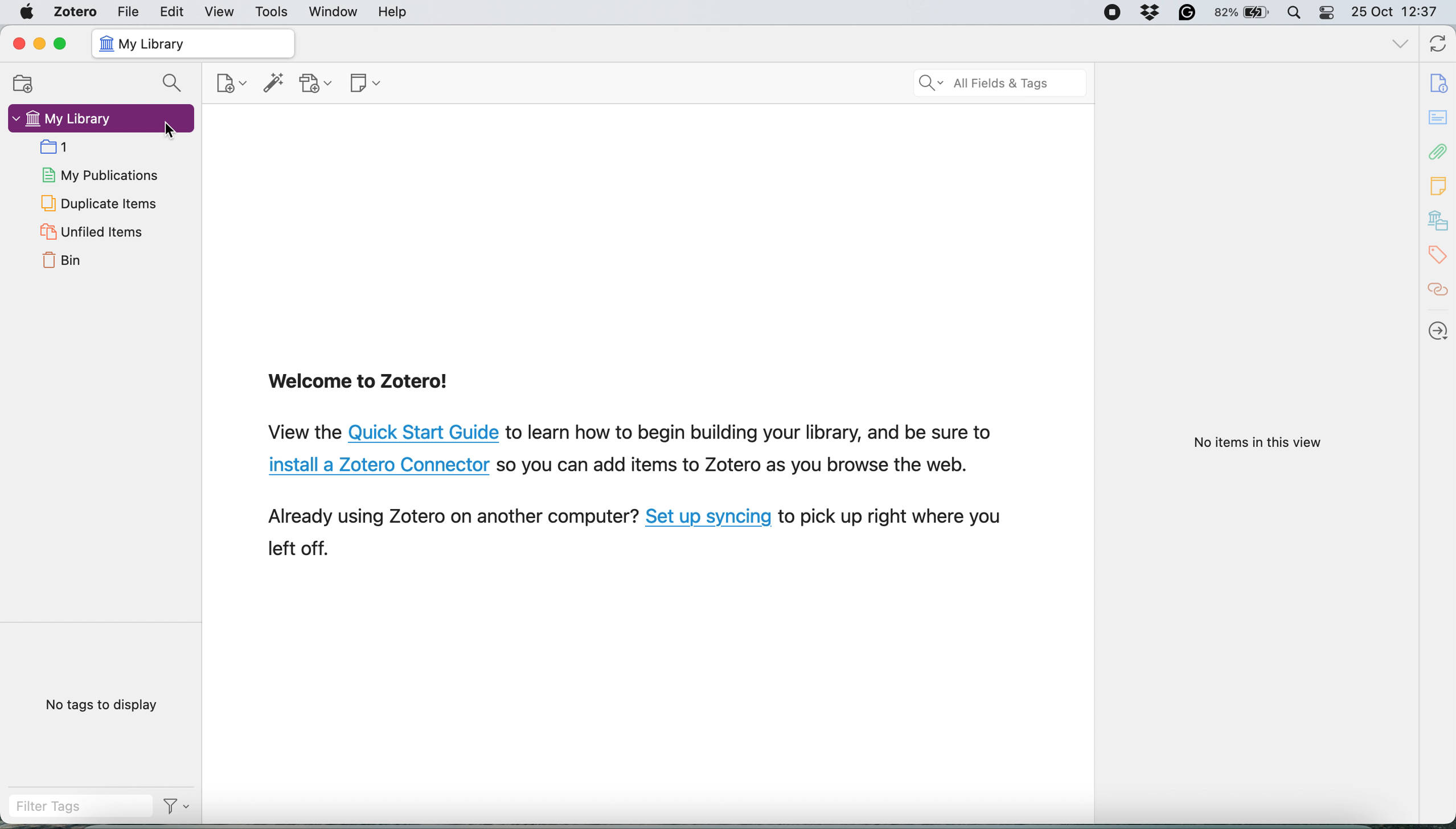  What do you see at coordinates (220, 11) in the screenshot?
I see `view` at bounding box center [220, 11].